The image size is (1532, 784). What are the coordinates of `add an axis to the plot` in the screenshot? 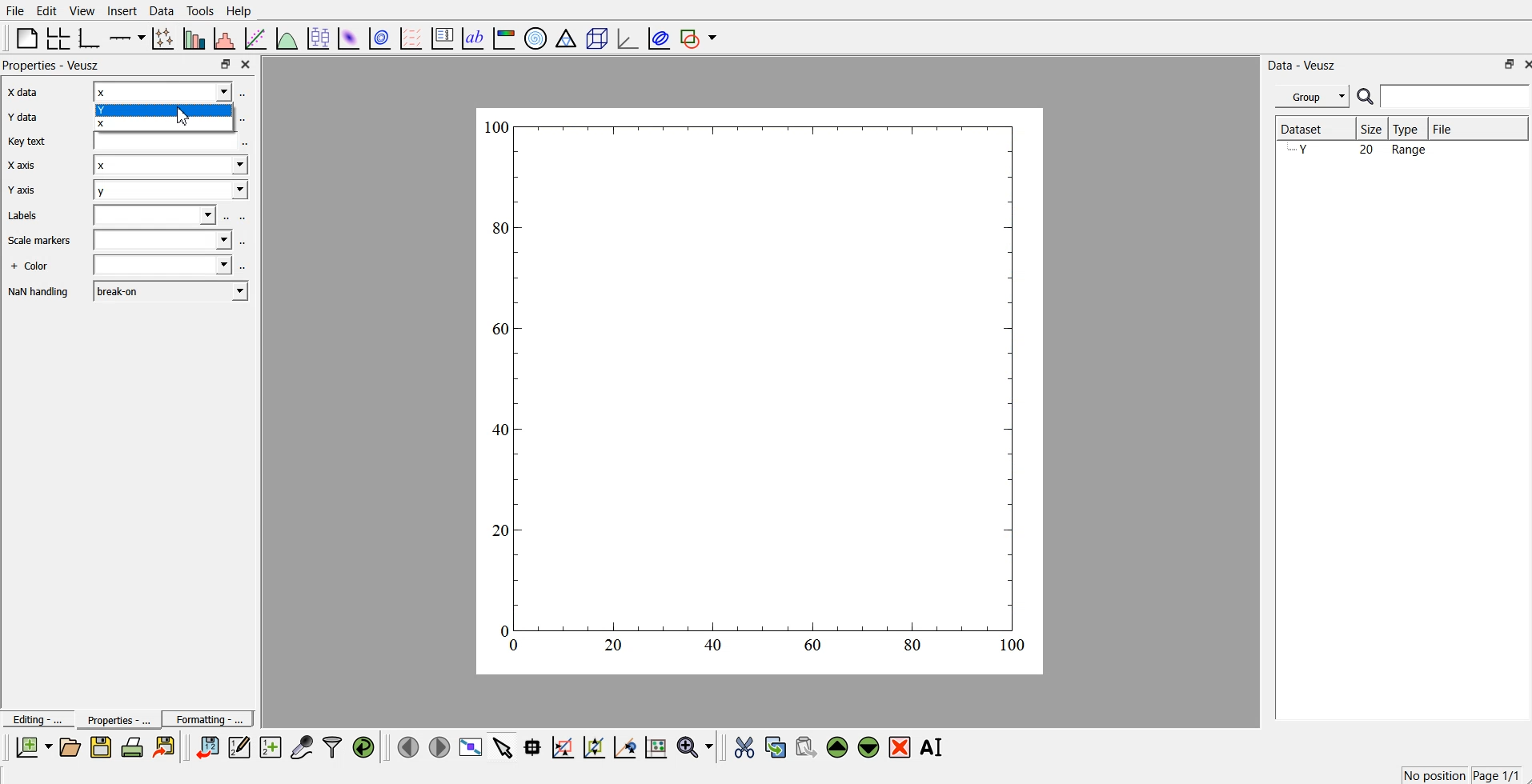 It's located at (127, 37).